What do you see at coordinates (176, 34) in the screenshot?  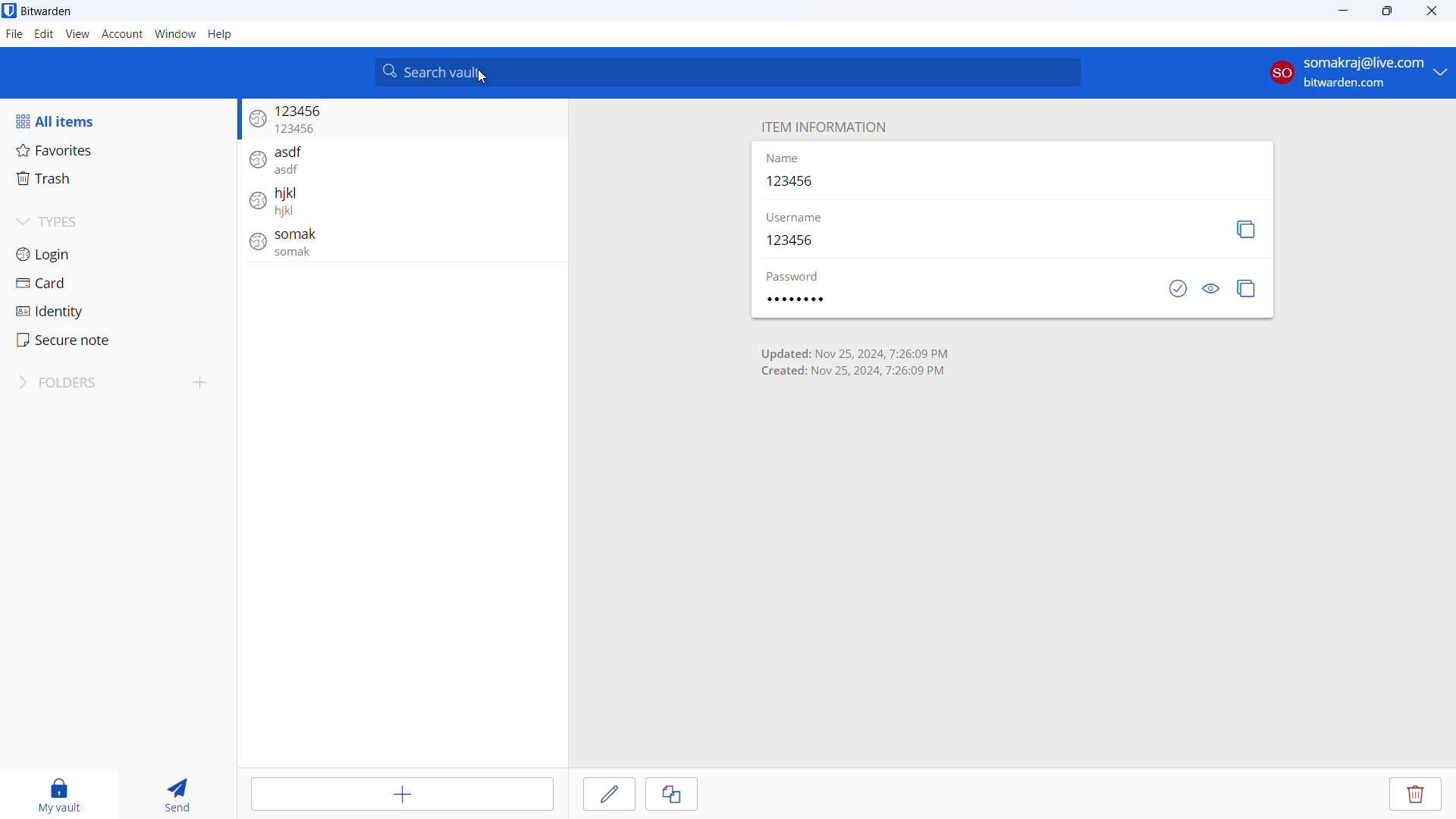 I see `window` at bounding box center [176, 34].